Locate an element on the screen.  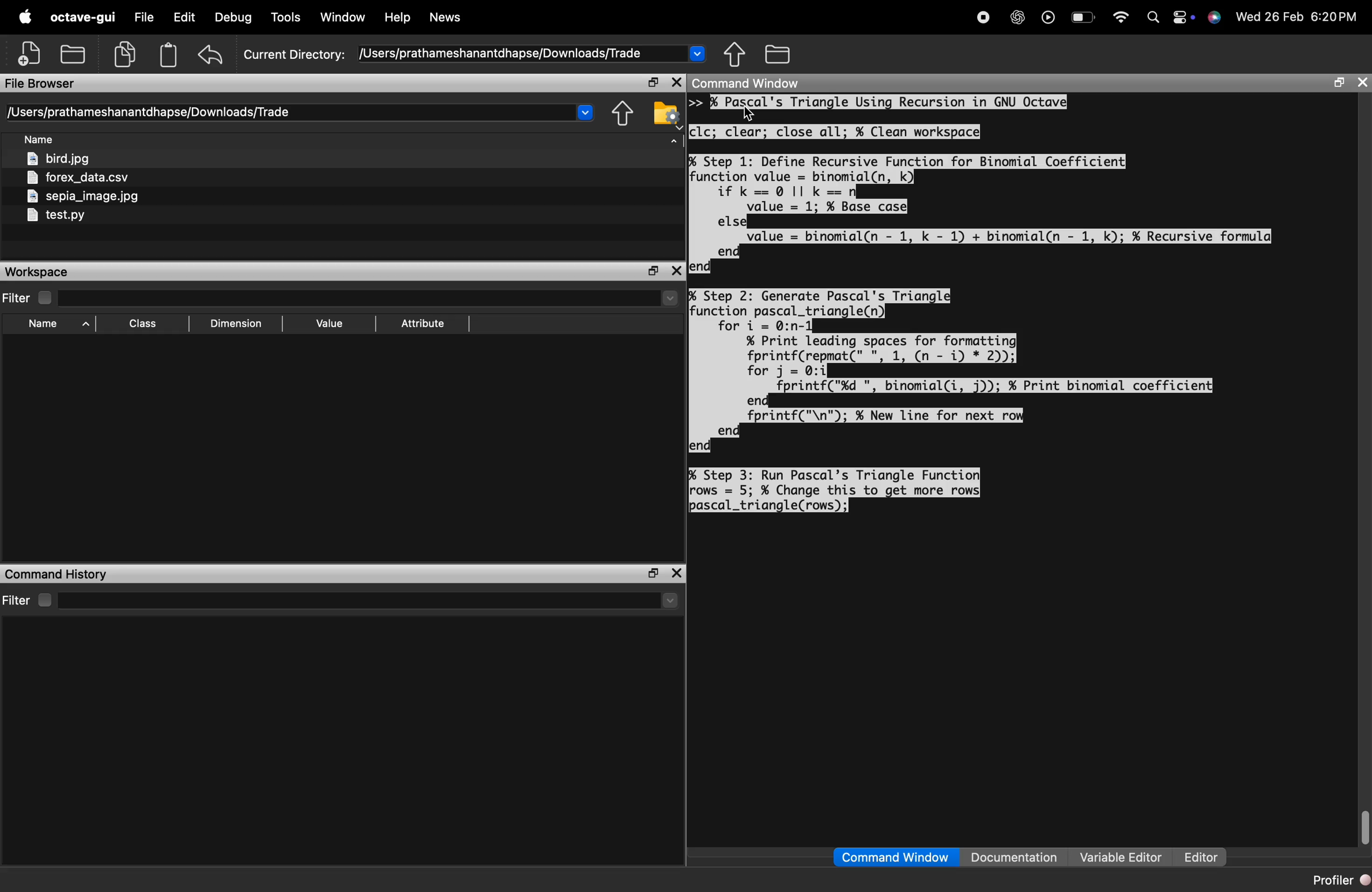
Debug is located at coordinates (233, 17).